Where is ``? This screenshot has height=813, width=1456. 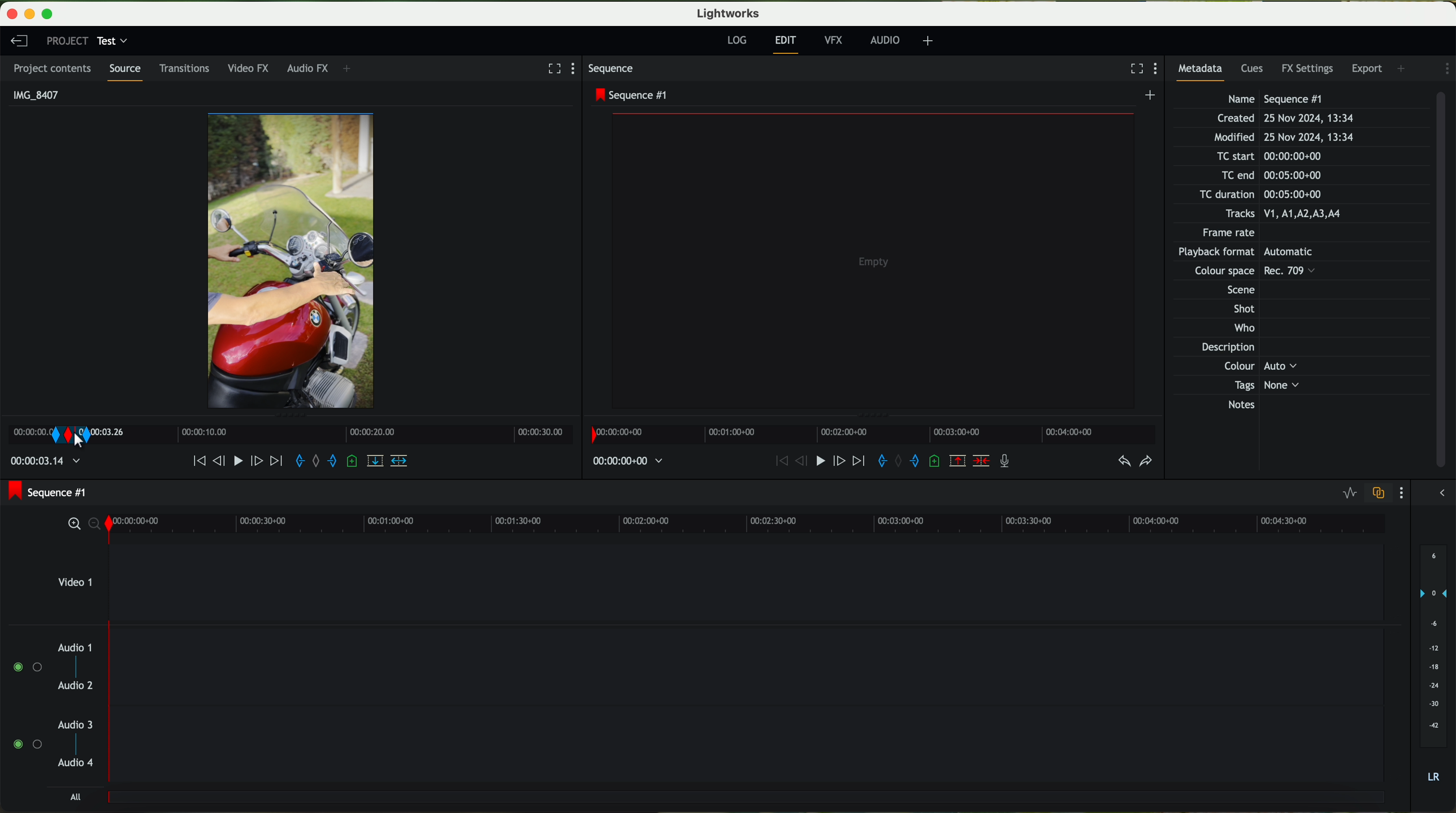
 is located at coordinates (1236, 288).